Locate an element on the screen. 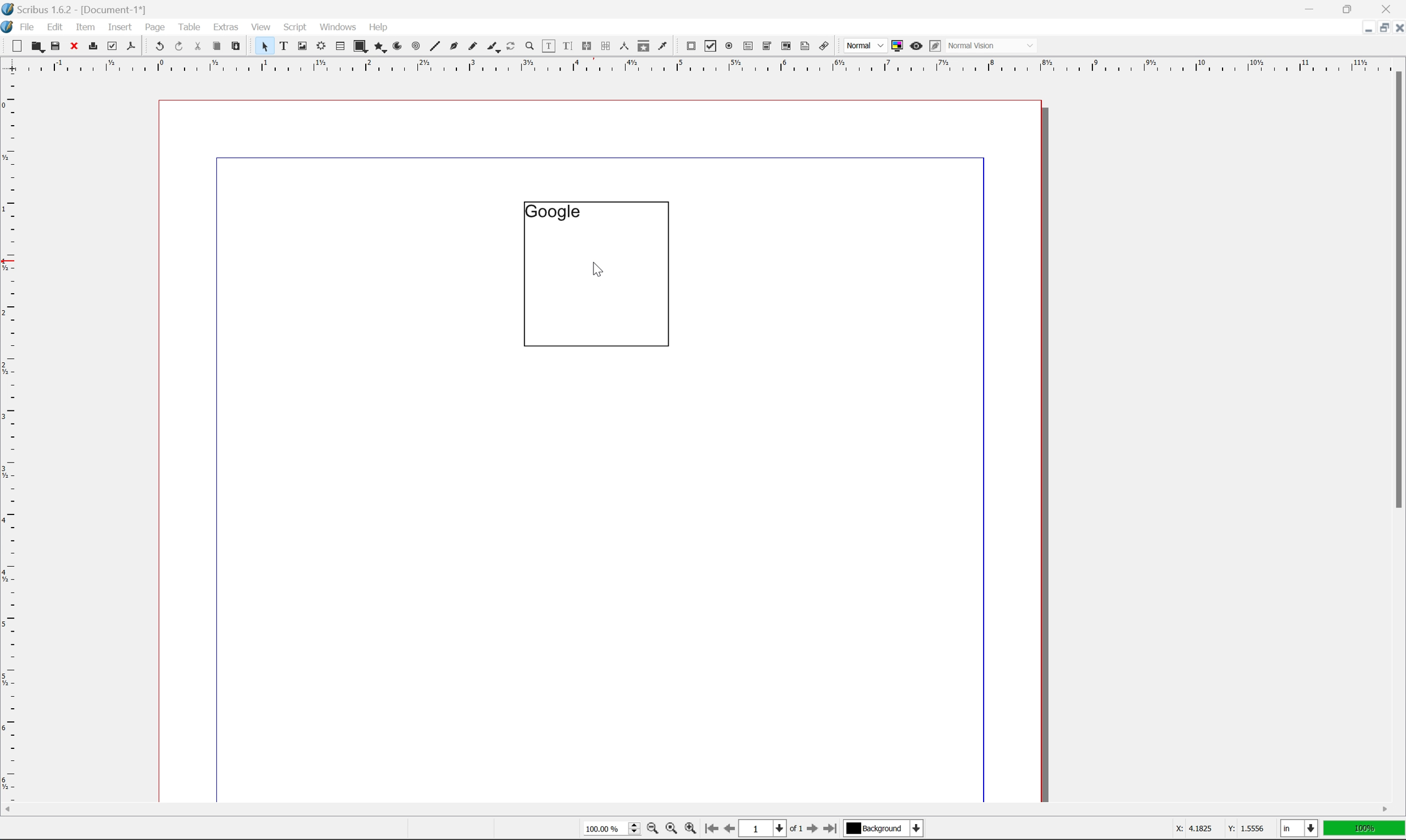  text frame is located at coordinates (284, 45).